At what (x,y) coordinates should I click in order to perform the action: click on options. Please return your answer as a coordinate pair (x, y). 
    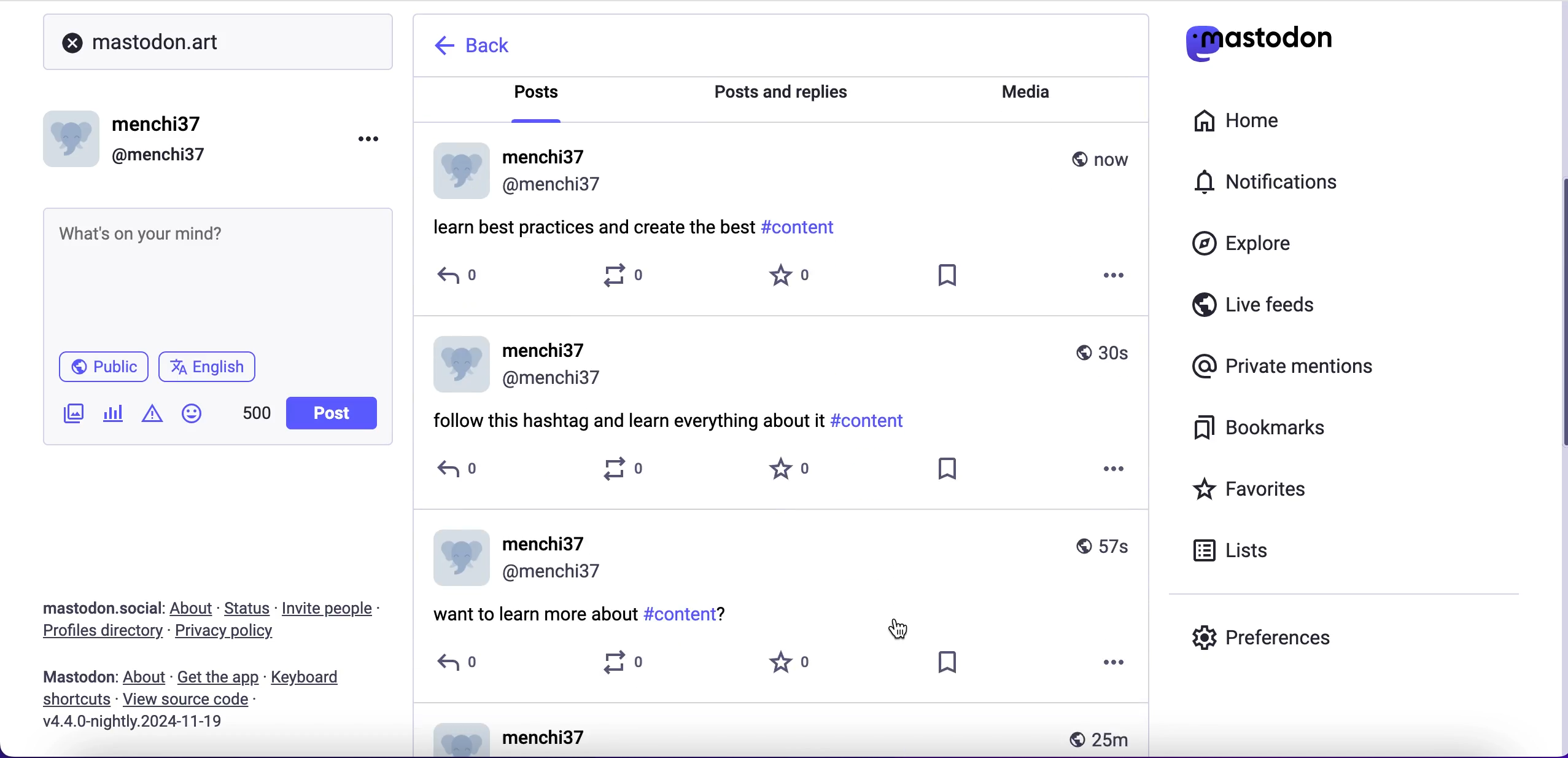
    Looking at the image, I should click on (1118, 670).